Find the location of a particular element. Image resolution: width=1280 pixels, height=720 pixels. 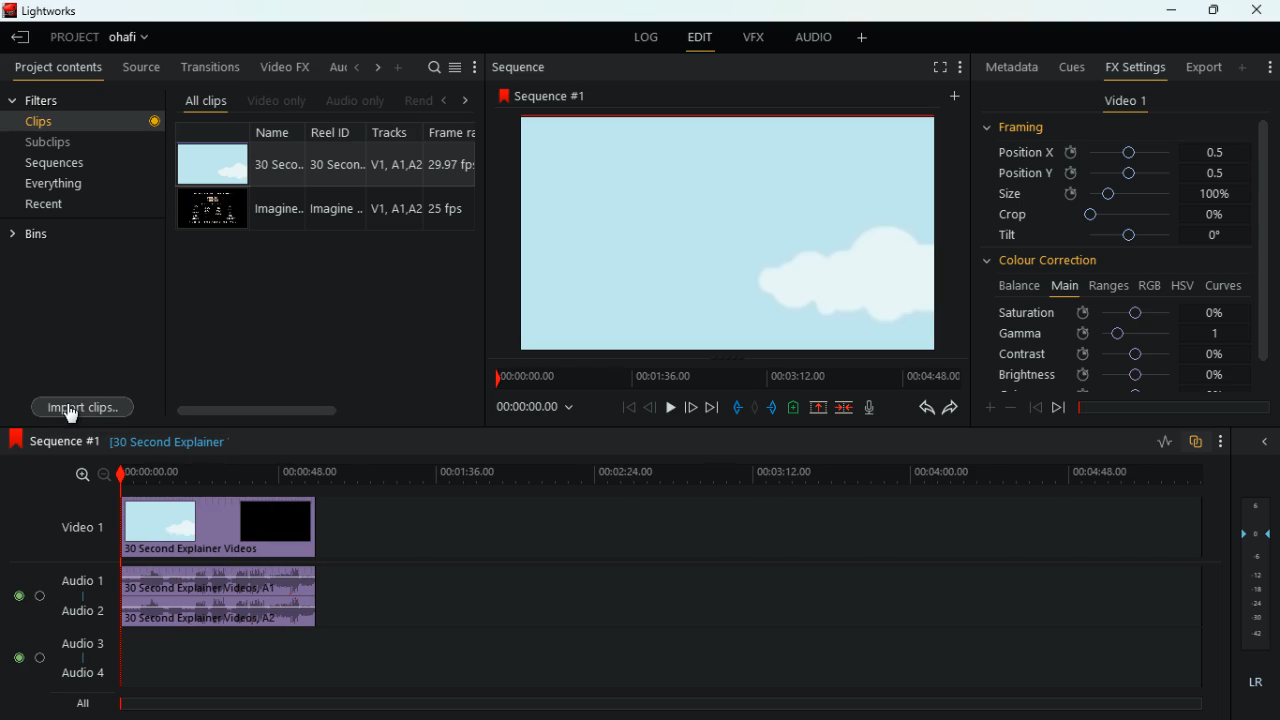

log is located at coordinates (643, 35).